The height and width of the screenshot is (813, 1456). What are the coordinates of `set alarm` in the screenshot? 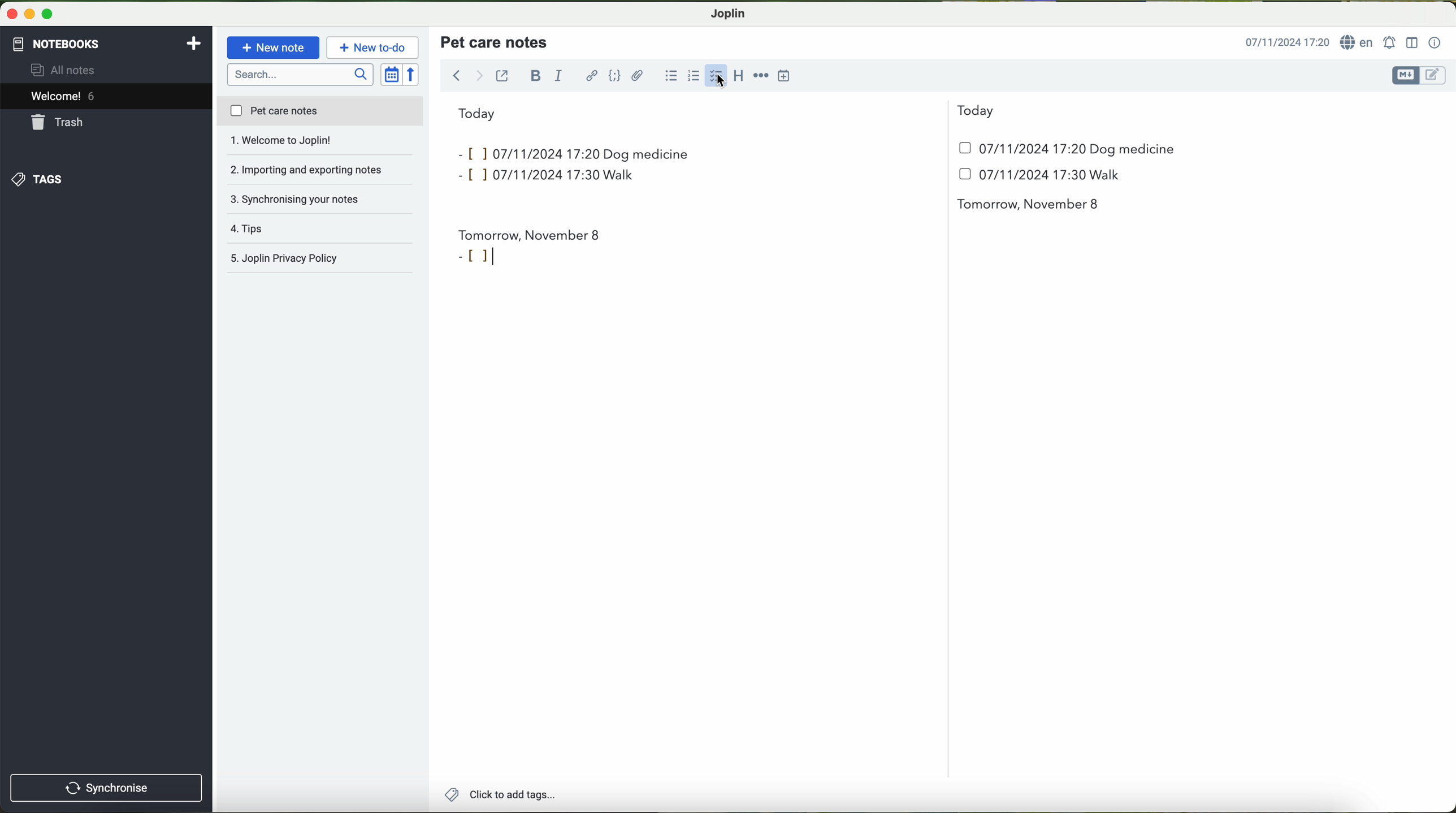 It's located at (1391, 42).